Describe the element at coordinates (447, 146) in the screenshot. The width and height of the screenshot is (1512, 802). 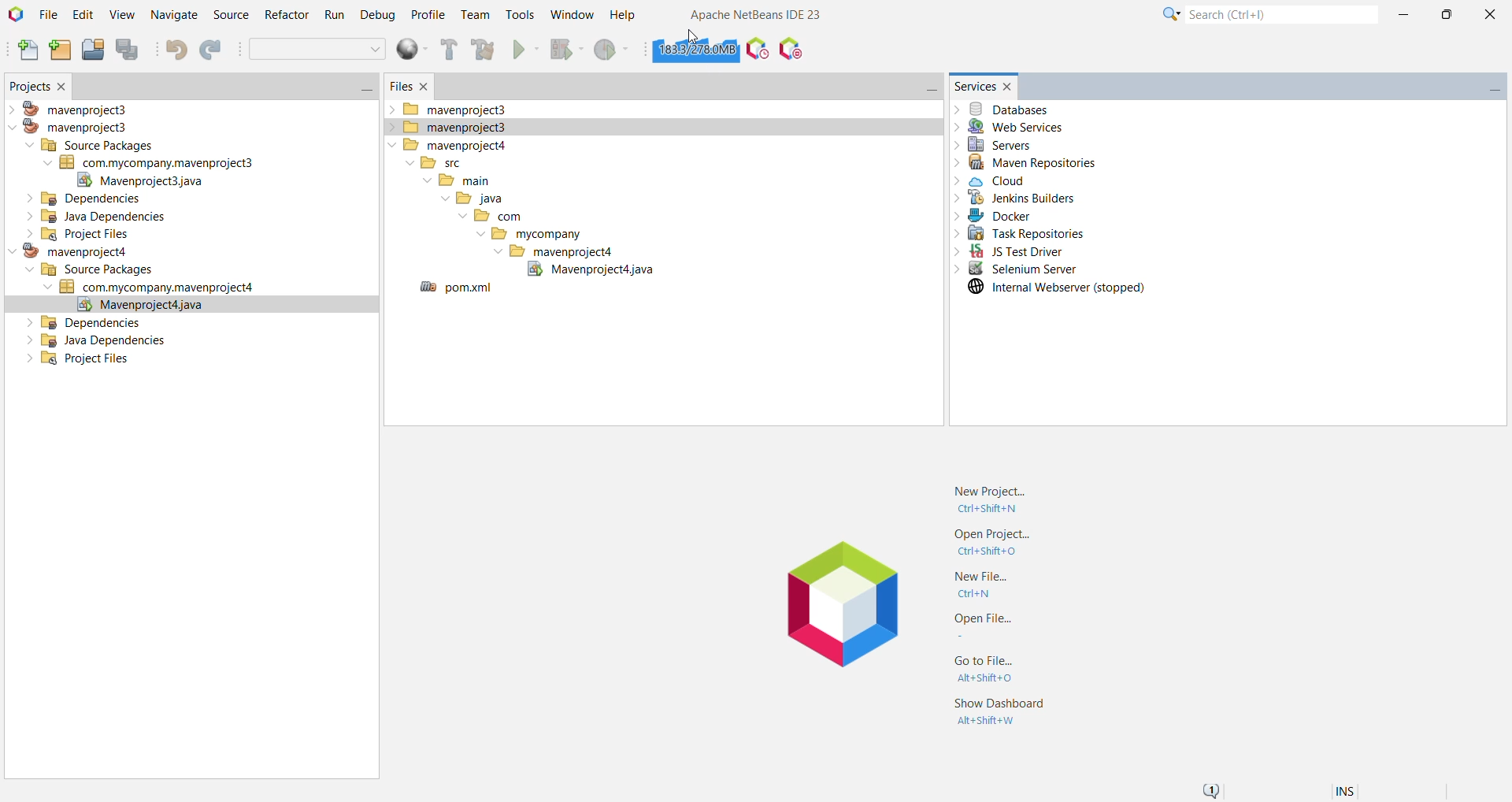
I see `mavenproject4` at that location.